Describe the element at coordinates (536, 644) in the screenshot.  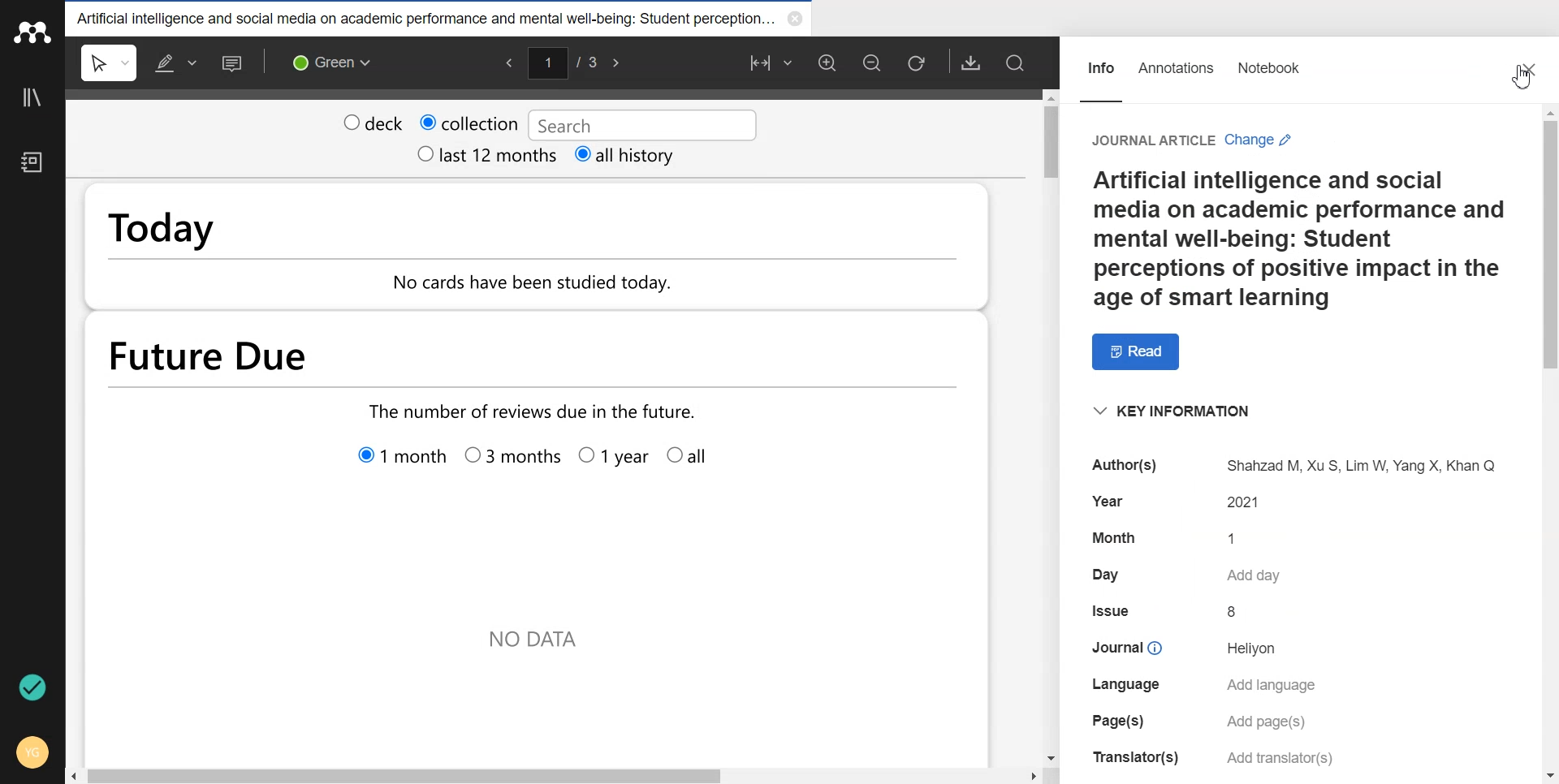
I see `NO DATA` at that location.